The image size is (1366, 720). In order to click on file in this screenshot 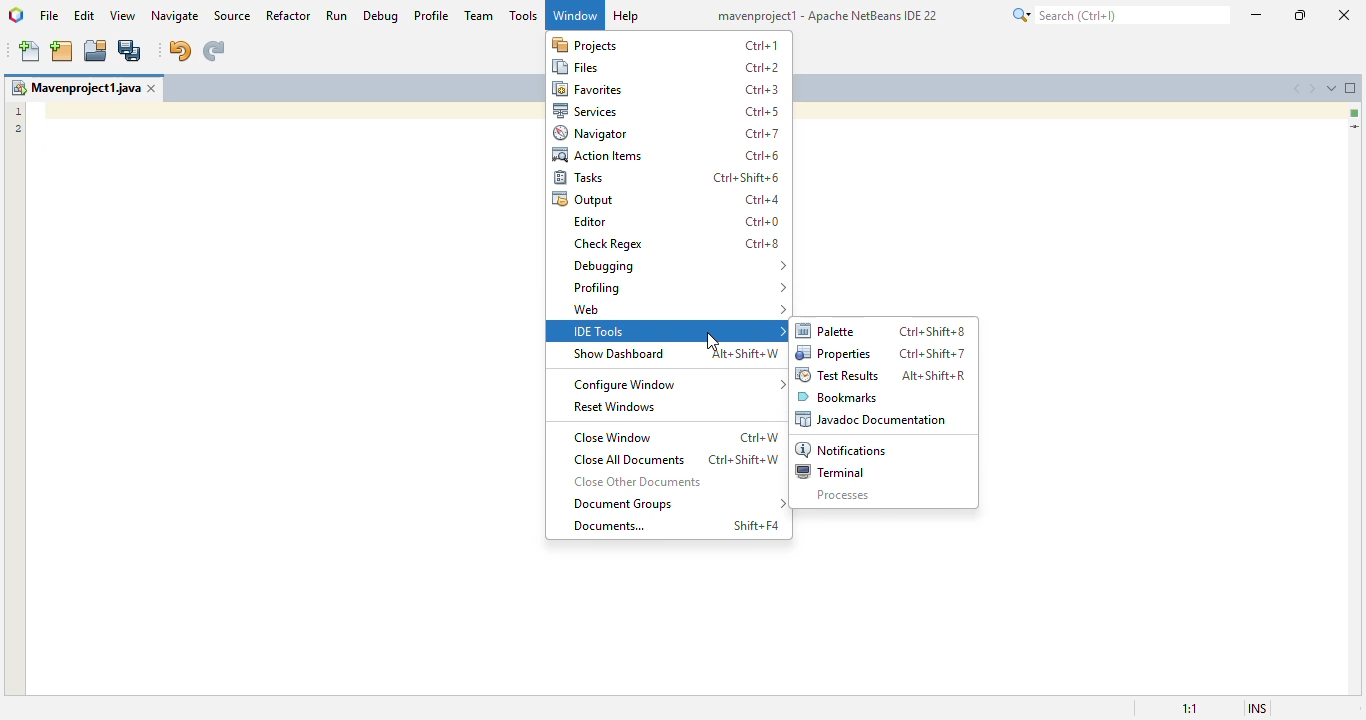, I will do `click(49, 16)`.